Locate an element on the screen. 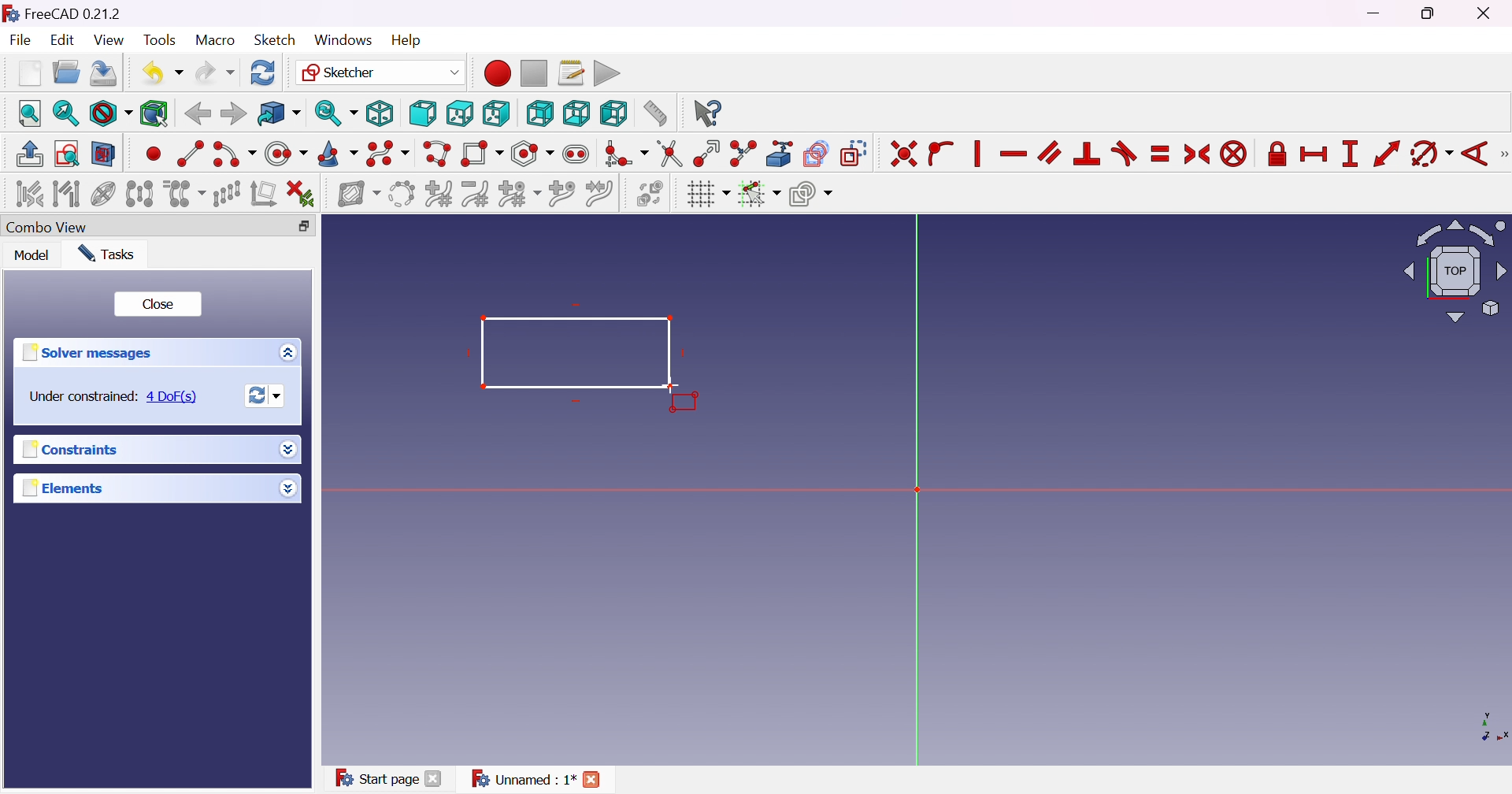 Image resolution: width=1512 pixels, height=794 pixels. Select associated constraints is located at coordinates (29, 193).